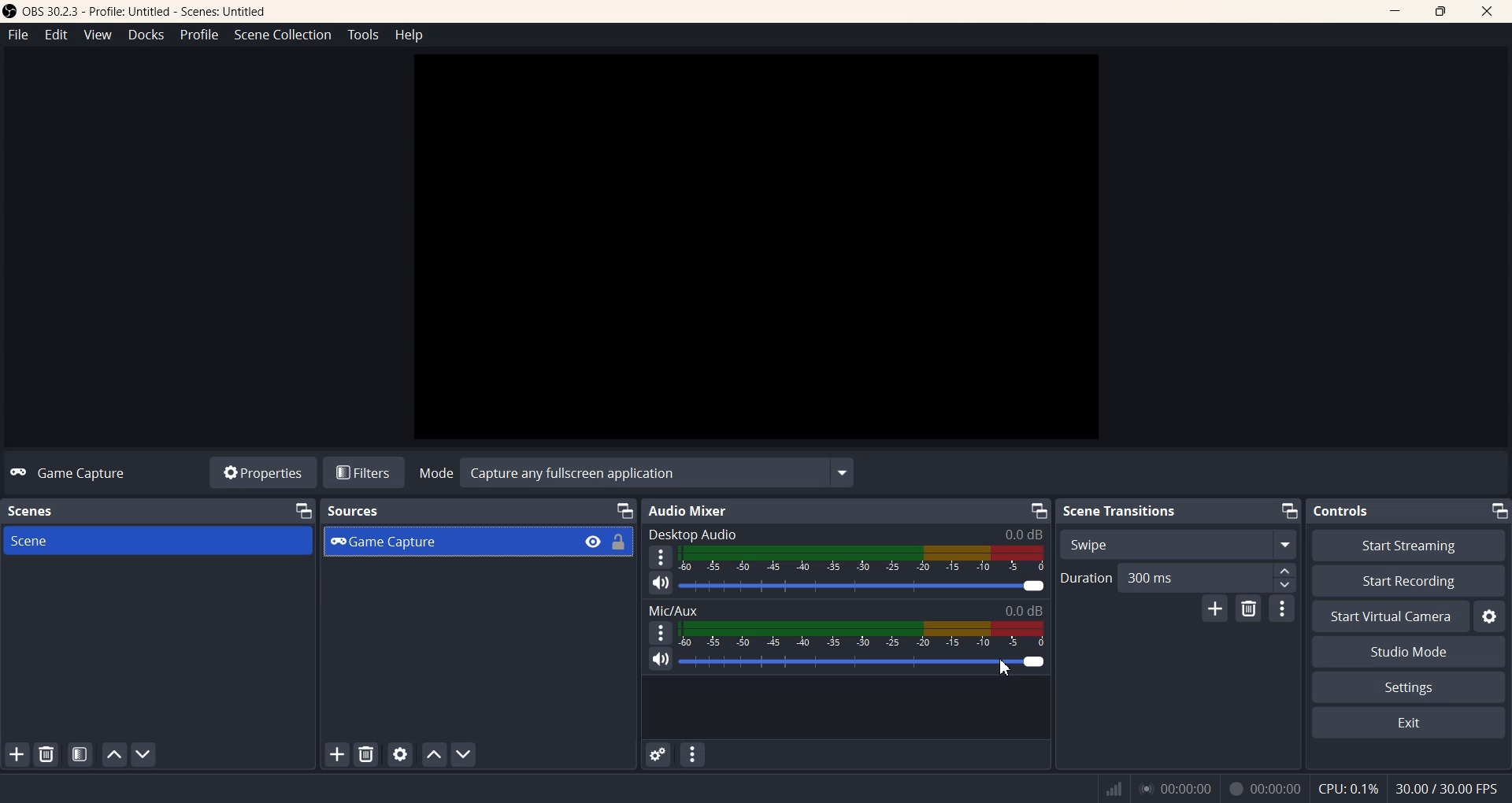 This screenshot has height=803, width=1512. What do you see at coordinates (657, 754) in the screenshot?
I see `Advanced Audio properties` at bounding box center [657, 754].